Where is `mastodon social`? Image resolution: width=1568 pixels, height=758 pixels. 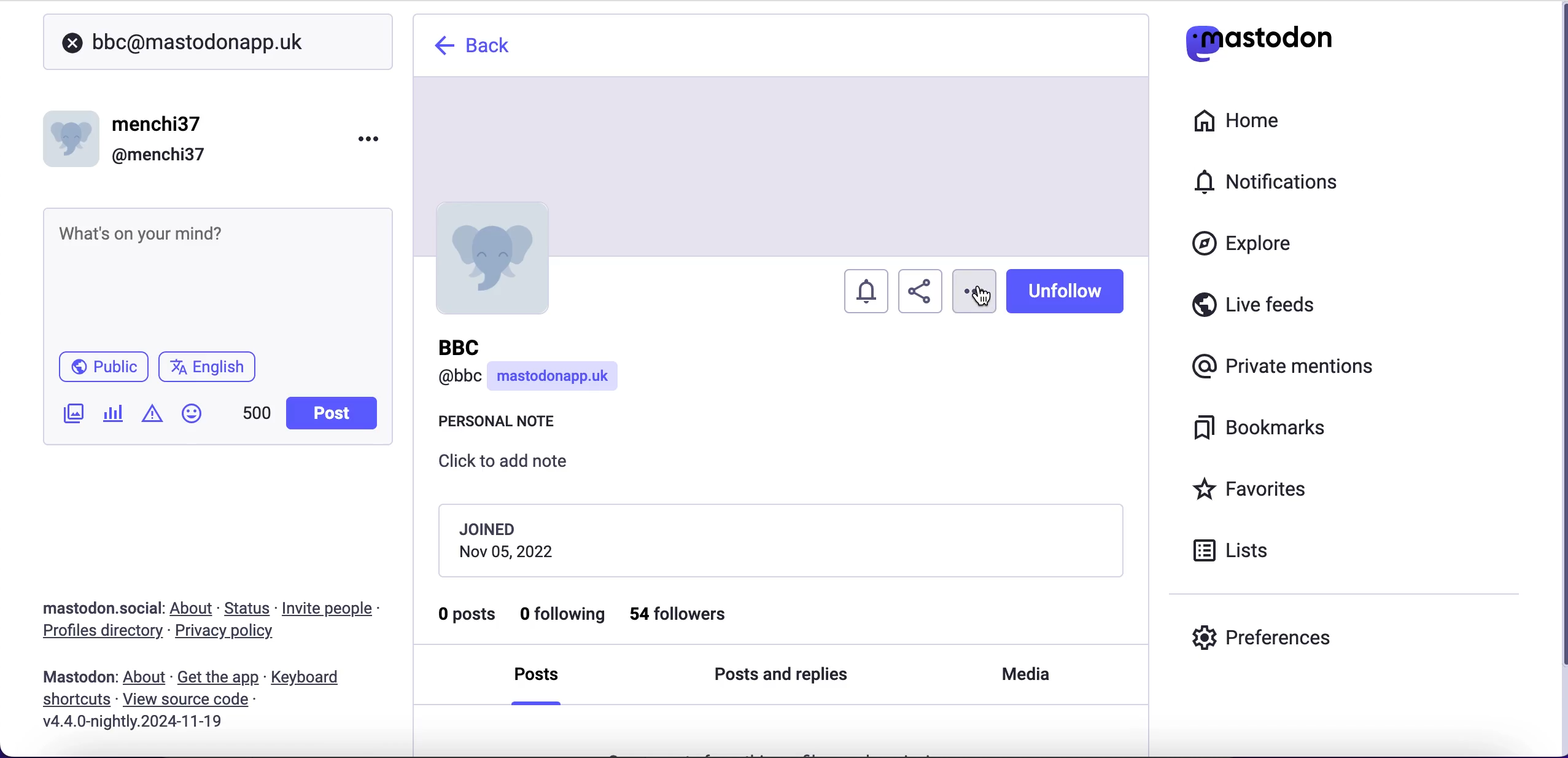
mastodon social is located at coordinates (86, 609).